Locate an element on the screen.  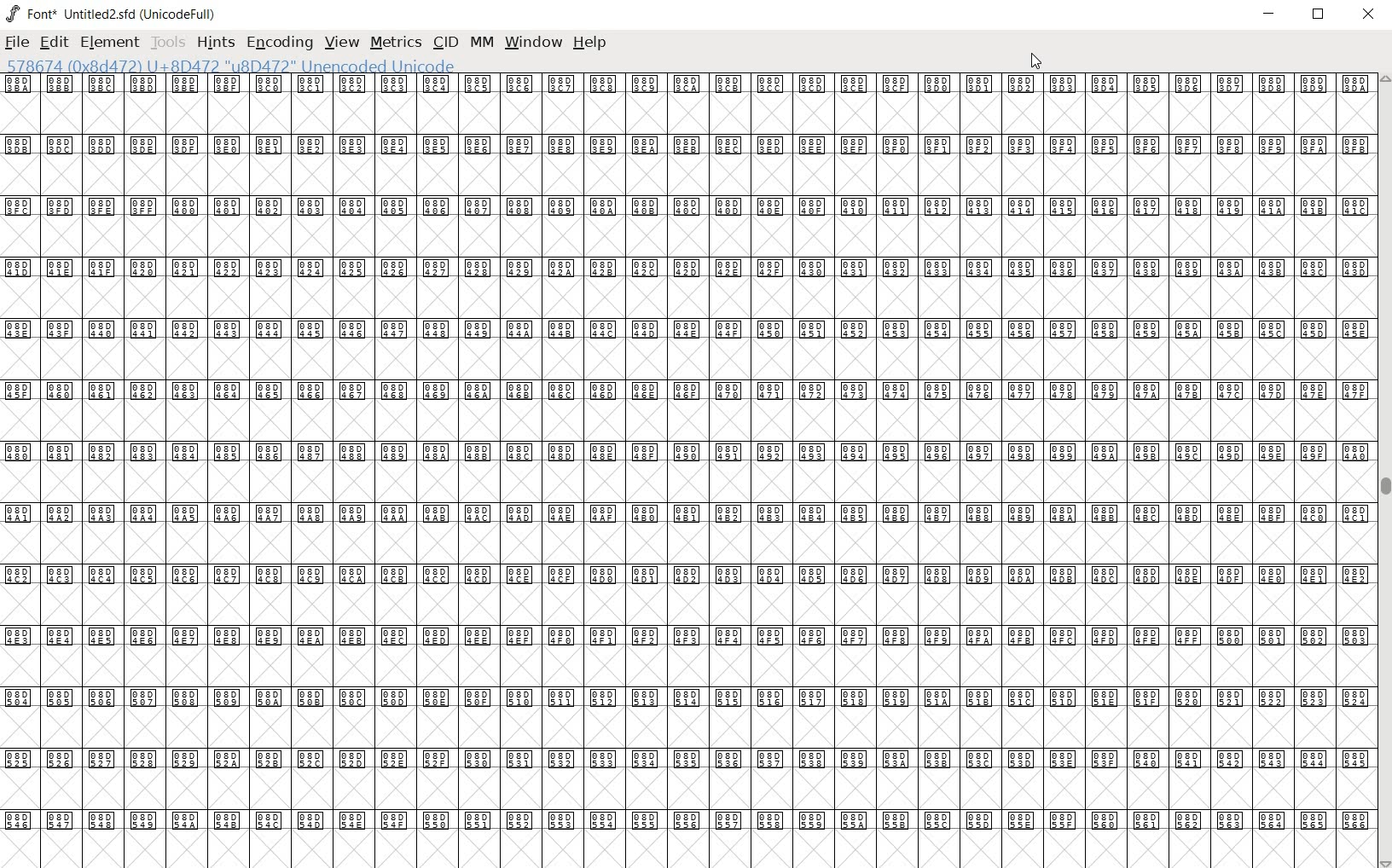
view is located at coordinates (342, 43).